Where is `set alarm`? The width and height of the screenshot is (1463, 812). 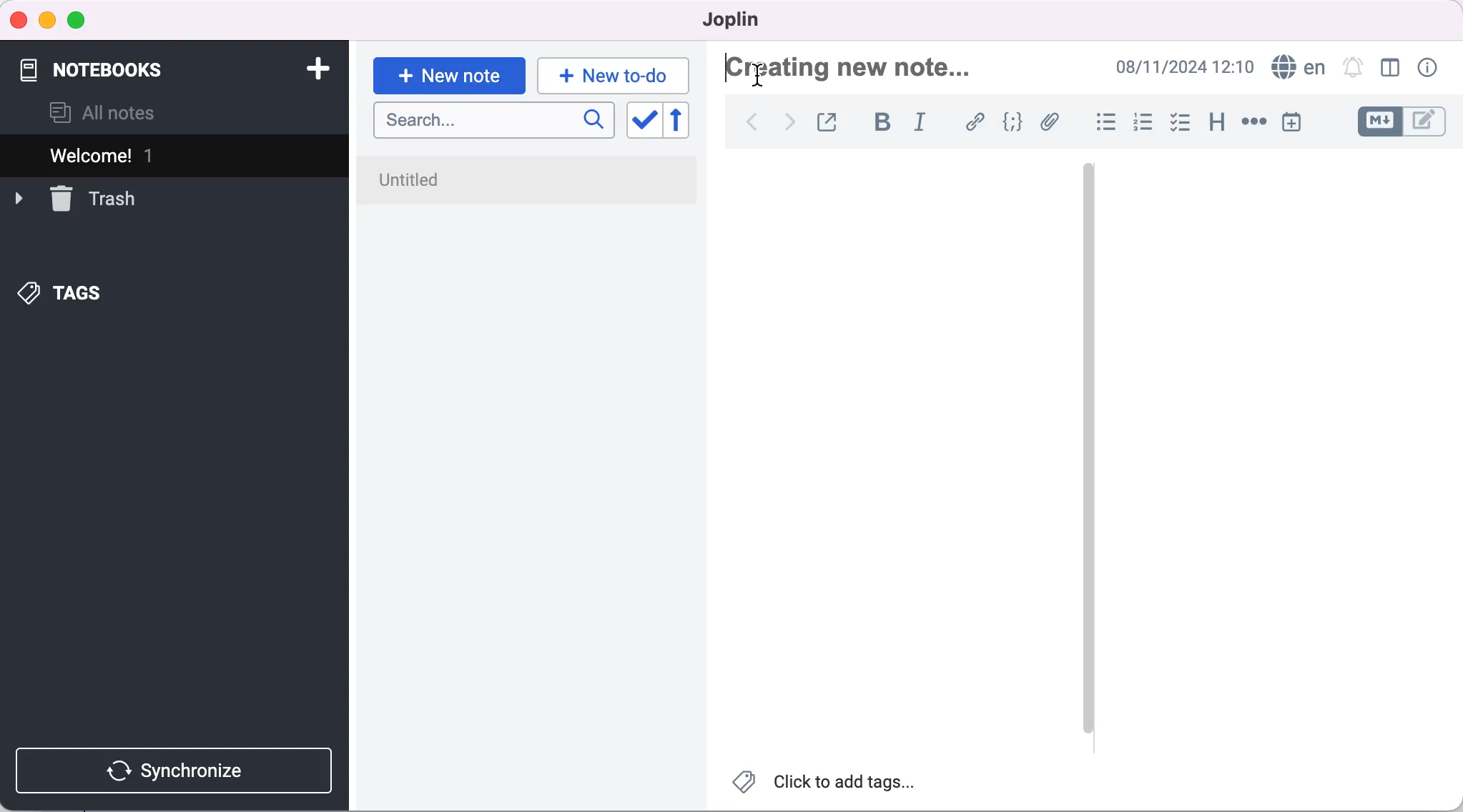 set alarm is located at coordinates (1349, 69).